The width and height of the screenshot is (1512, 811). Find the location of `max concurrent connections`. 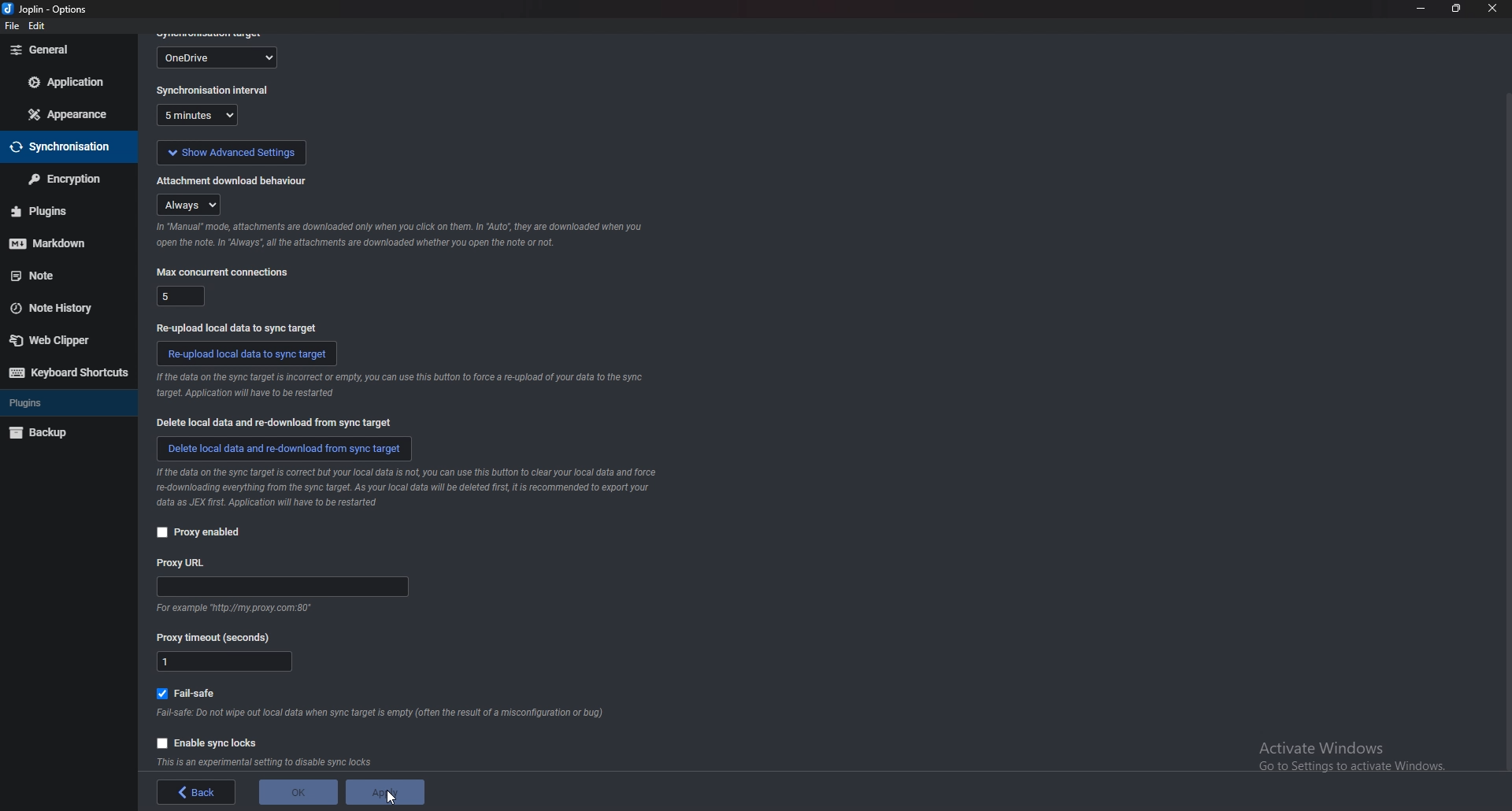

max concurrent connections is located at coordinates (222, 272).